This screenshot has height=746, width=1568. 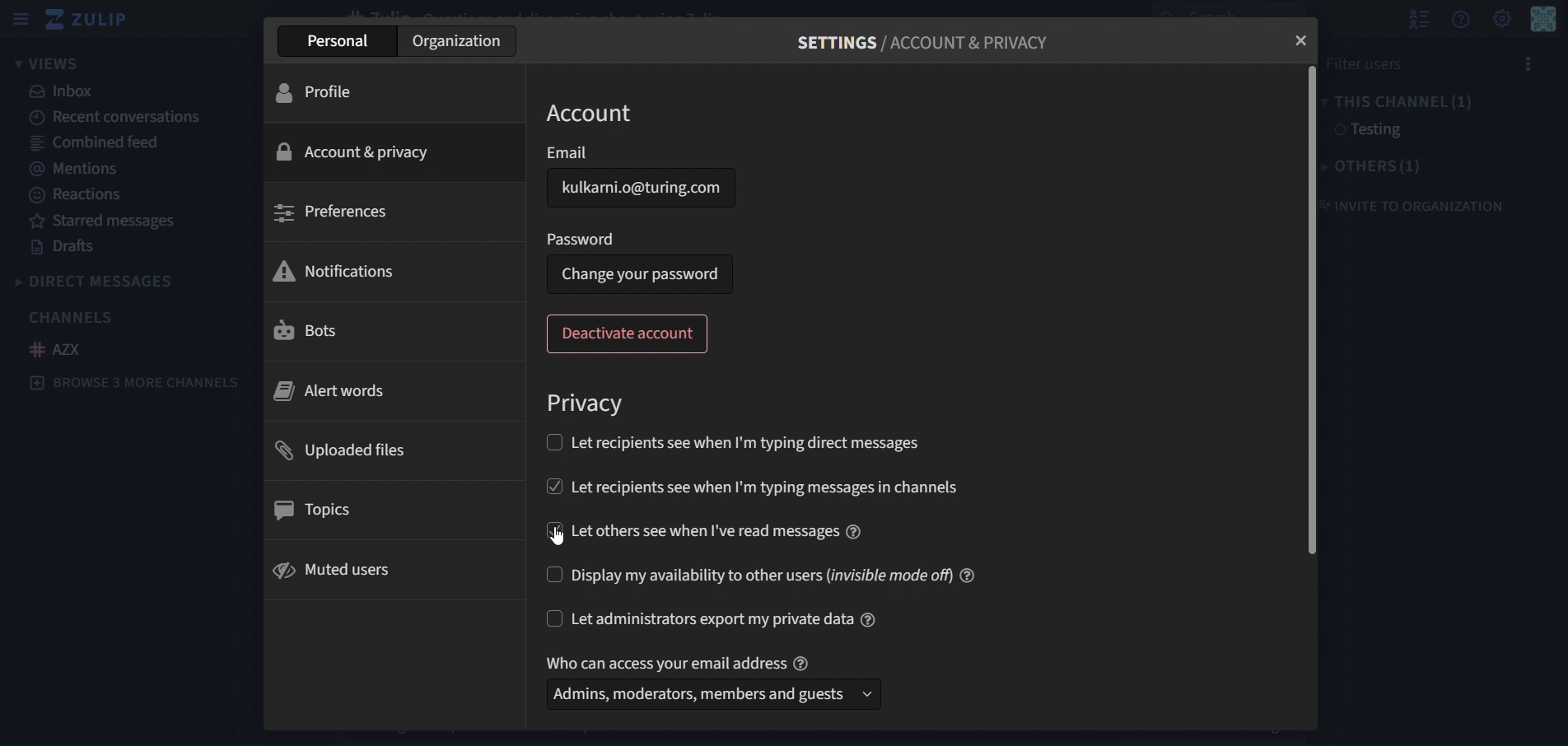 What do you see at coordinates (327, 91) in the screenshot?
I see `profile` at bounding box center [327, 91].